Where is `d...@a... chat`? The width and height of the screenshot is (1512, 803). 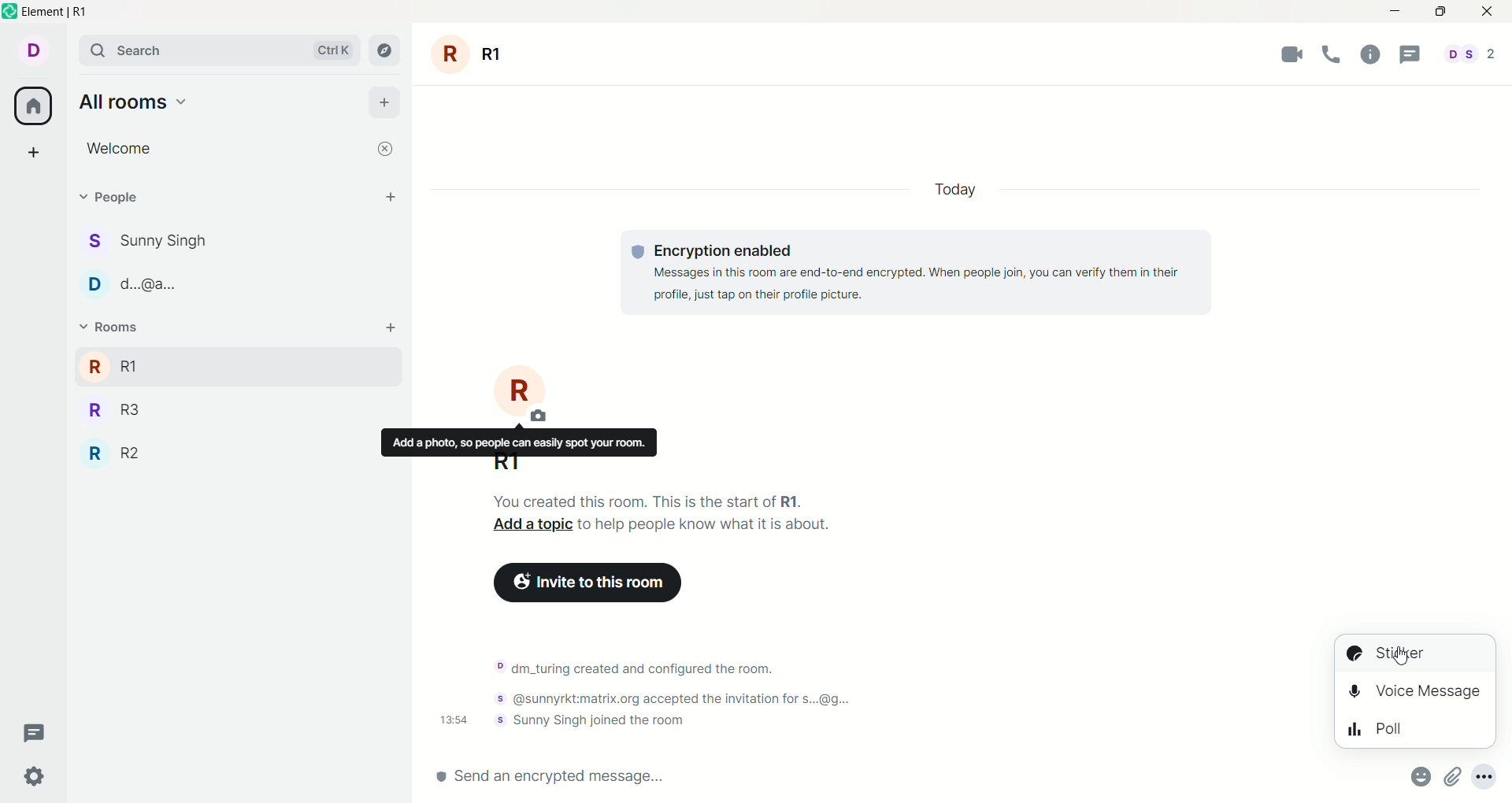
d...@a... chat is located at coordinates (132, 284).